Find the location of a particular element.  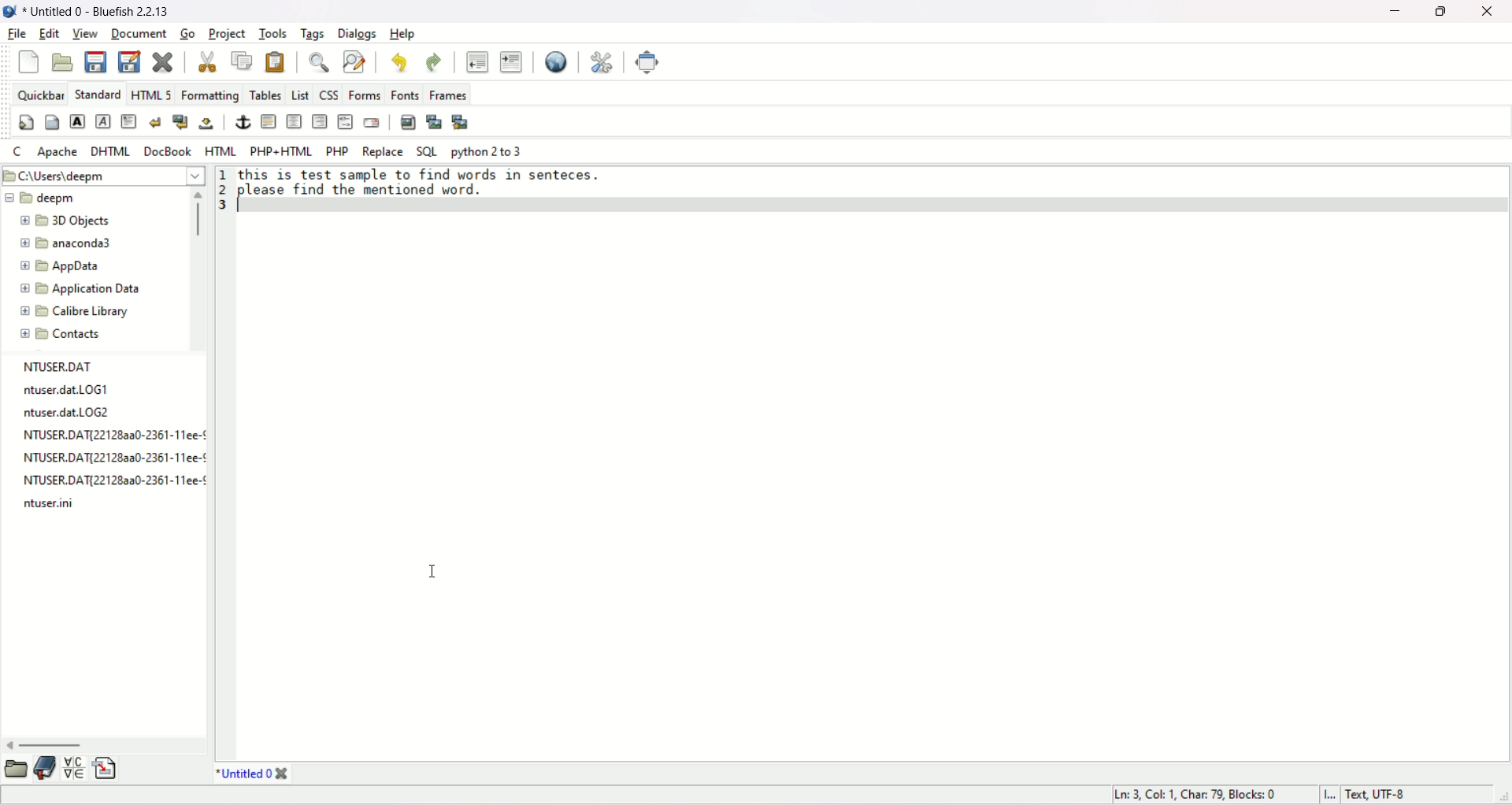

indent is located at coordinates (511, 60).